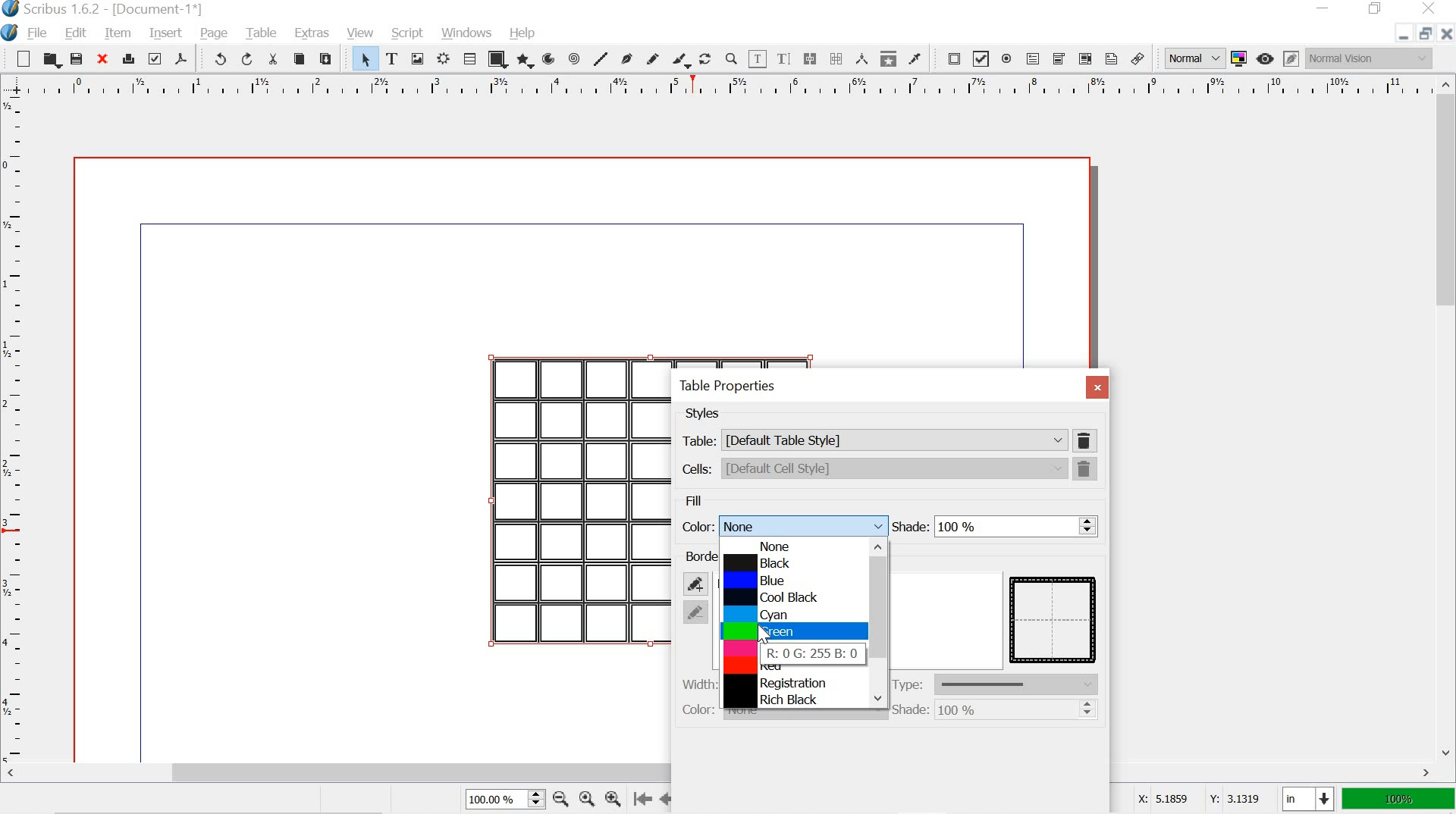  What do you see at coordinates (886, 58) in the screenshot?
I see `copy item properties` at bounding box center [886, 58].